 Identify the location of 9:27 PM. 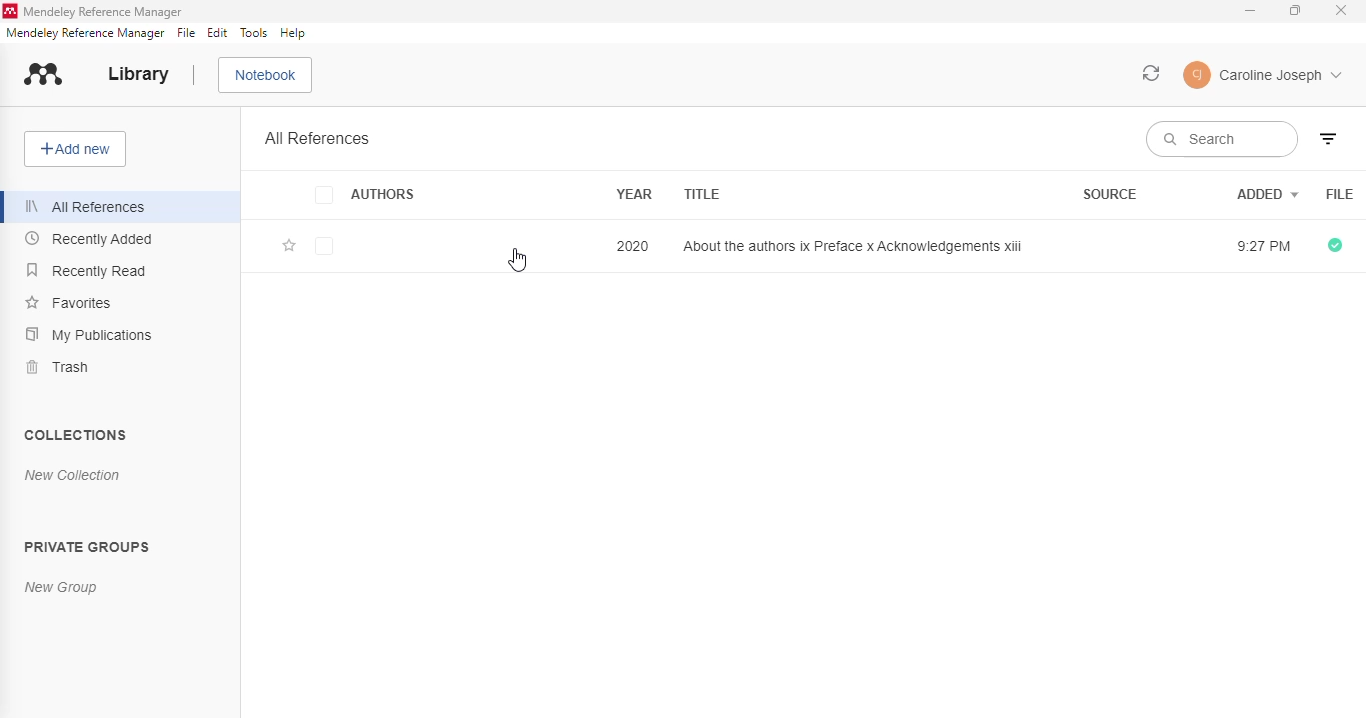
(1262, 246).